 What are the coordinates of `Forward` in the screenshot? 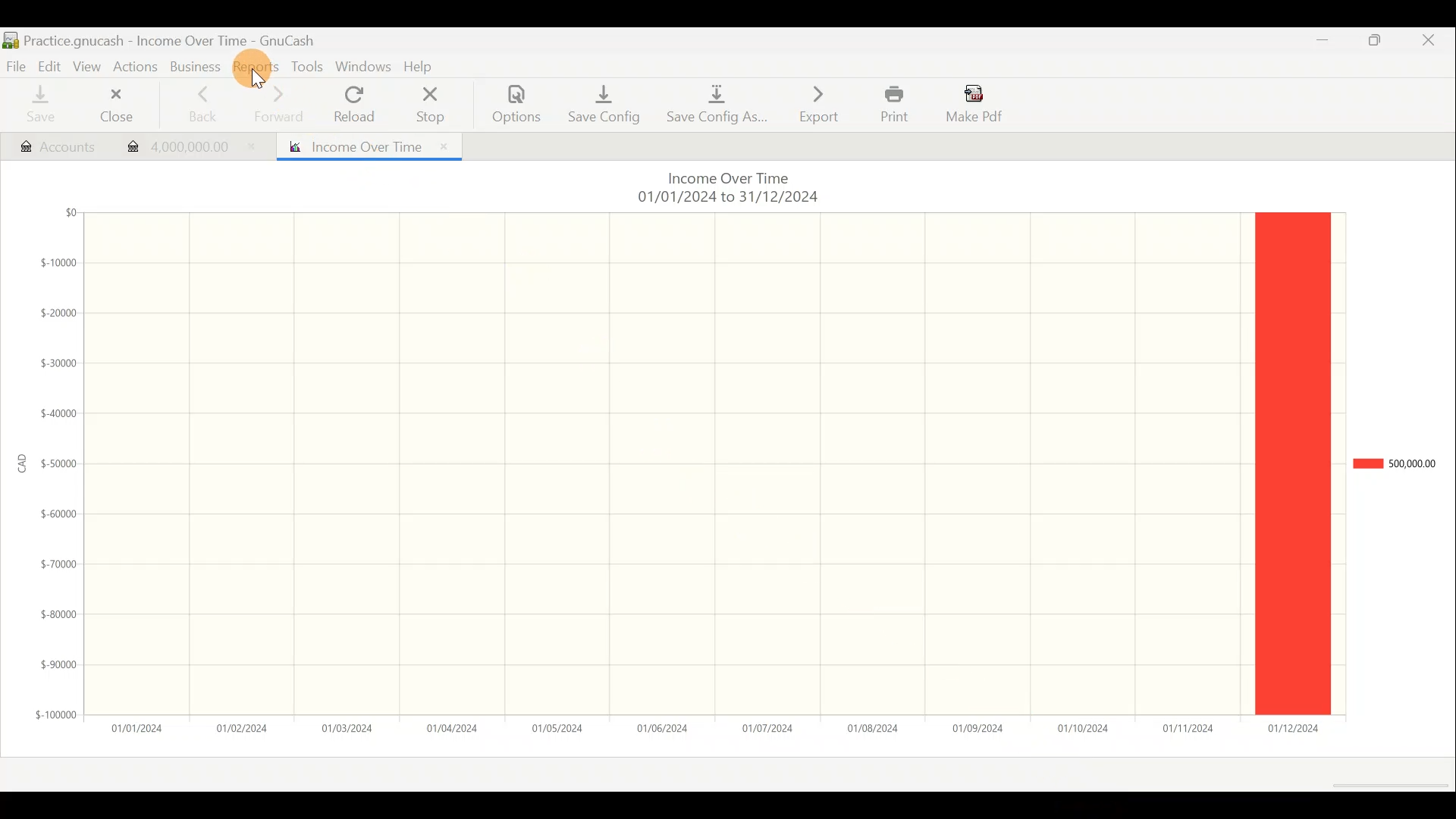 It's located at (284, 104).